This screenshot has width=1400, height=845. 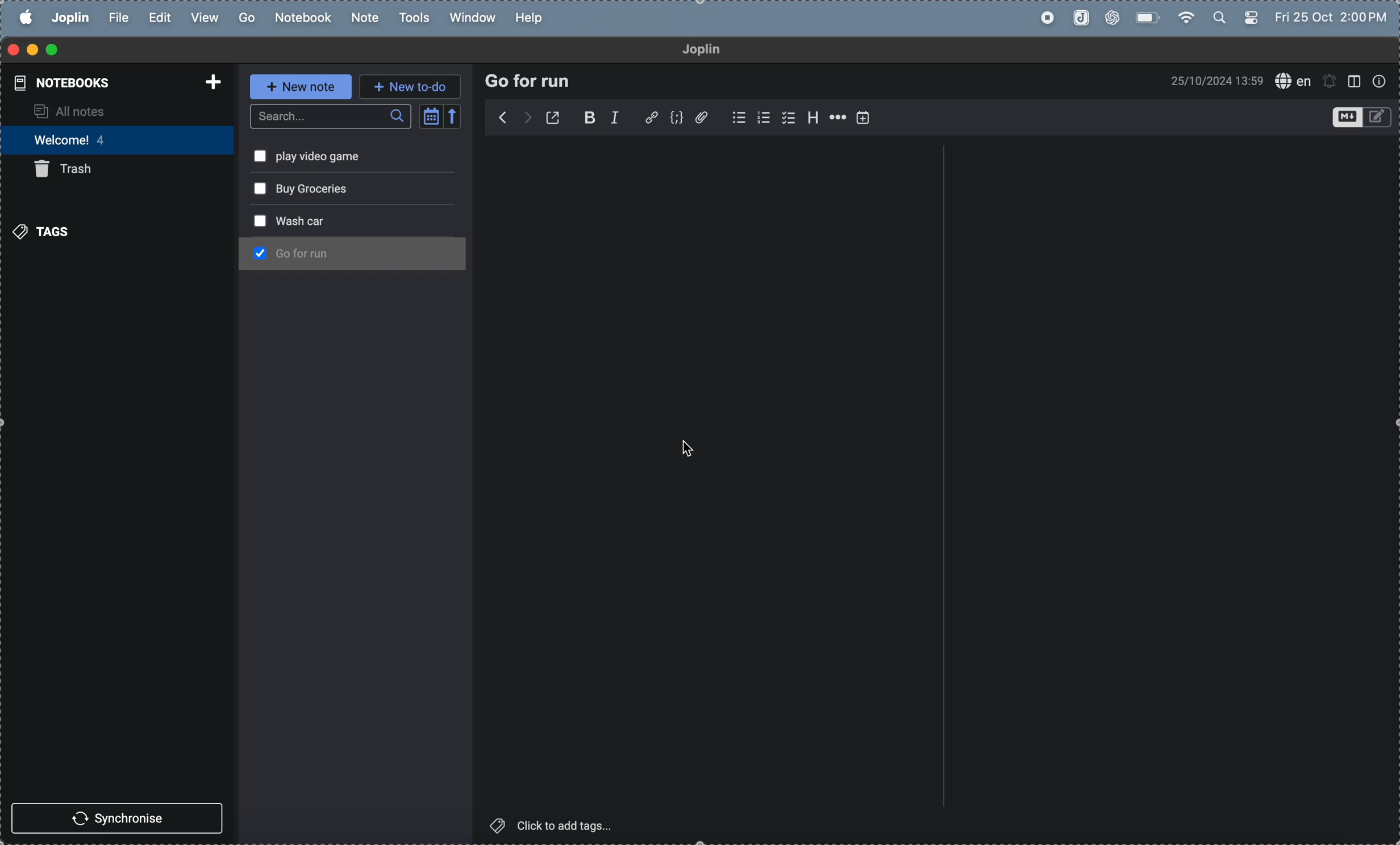 I want to click on buy grocerires, so click(x=346, y=219).